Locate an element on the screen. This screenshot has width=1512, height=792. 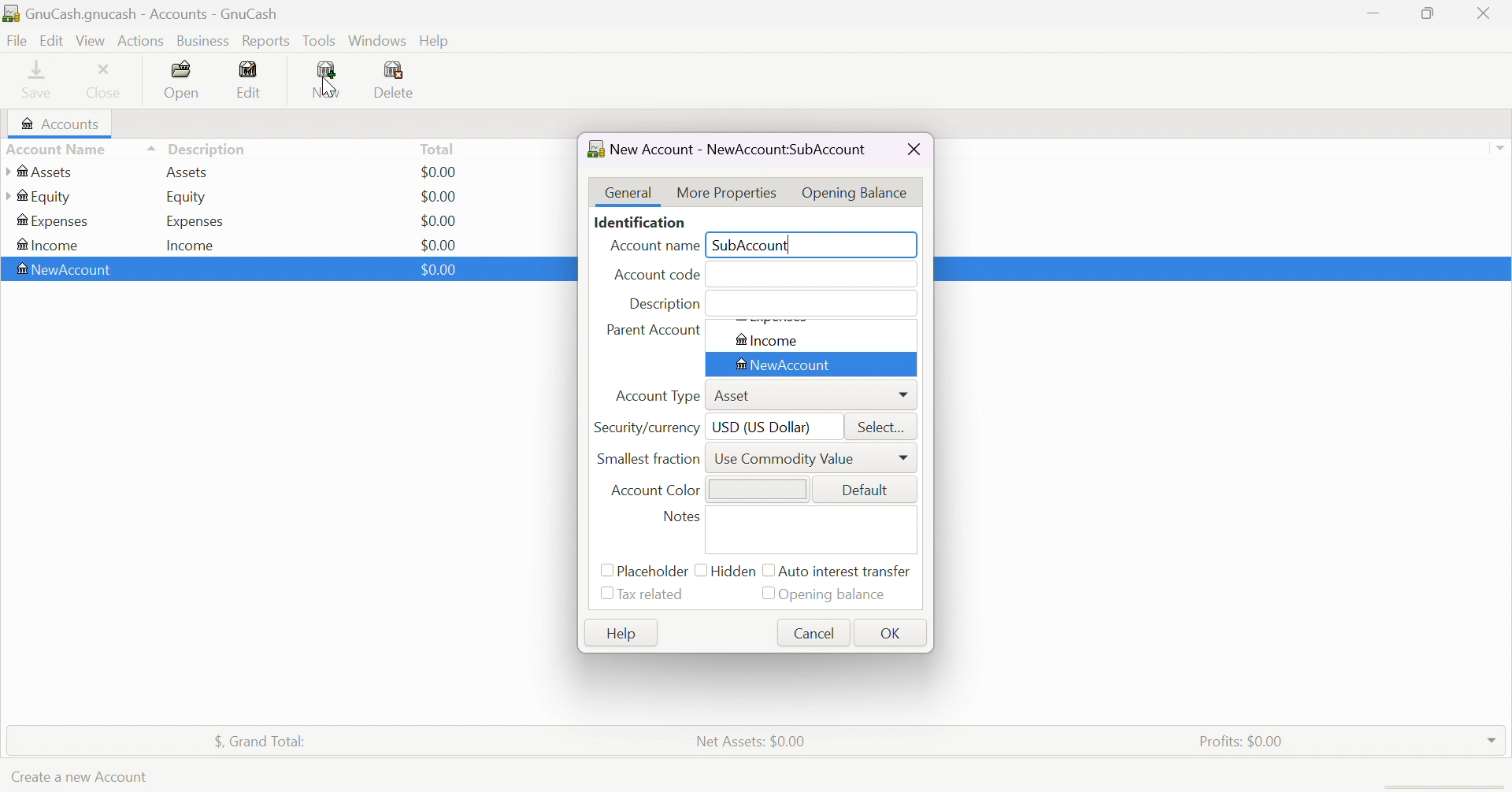
Asset is located at coordinates (738, 396).